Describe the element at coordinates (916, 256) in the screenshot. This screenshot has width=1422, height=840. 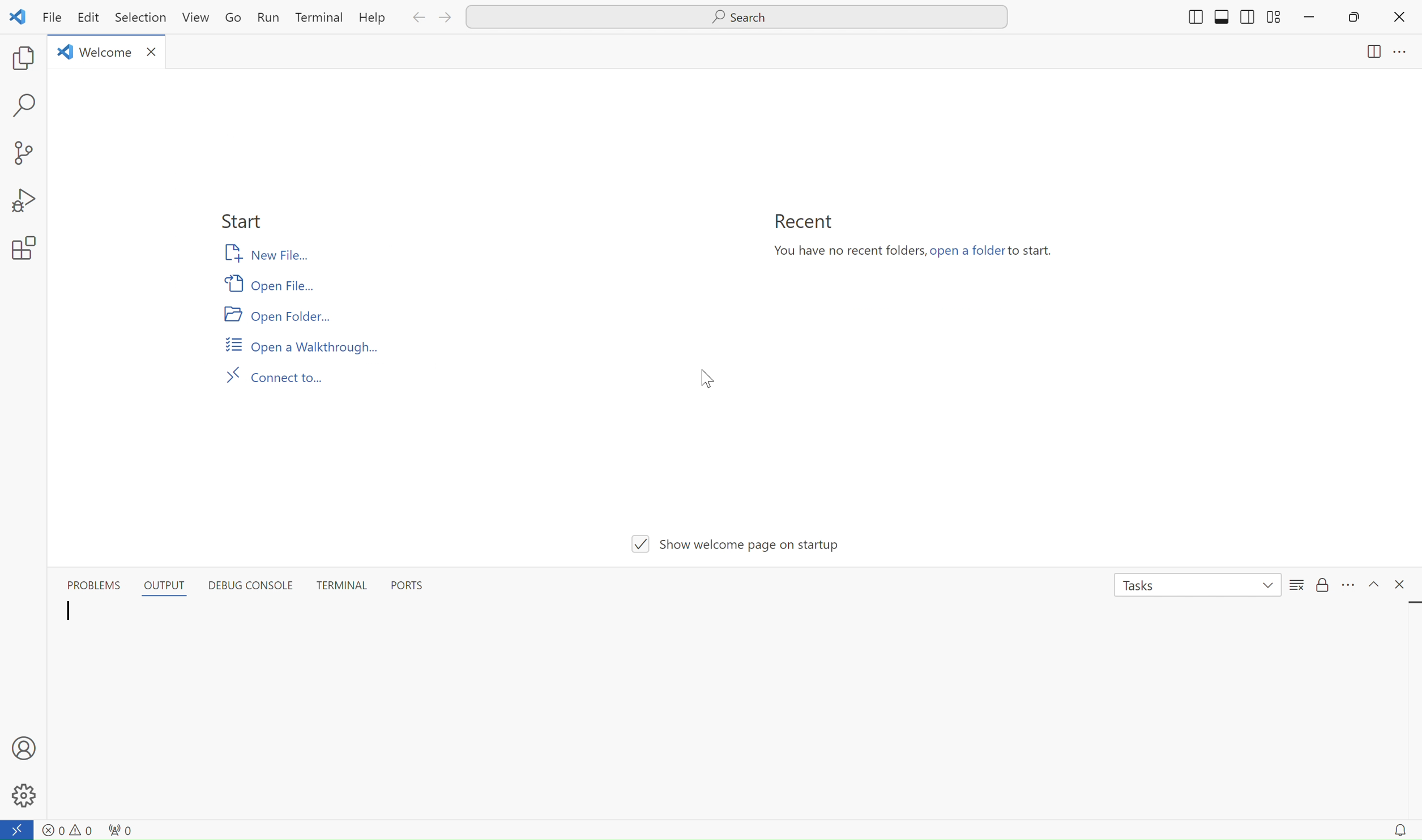
I see `You have no recent folder, open a folder to start` at that location.